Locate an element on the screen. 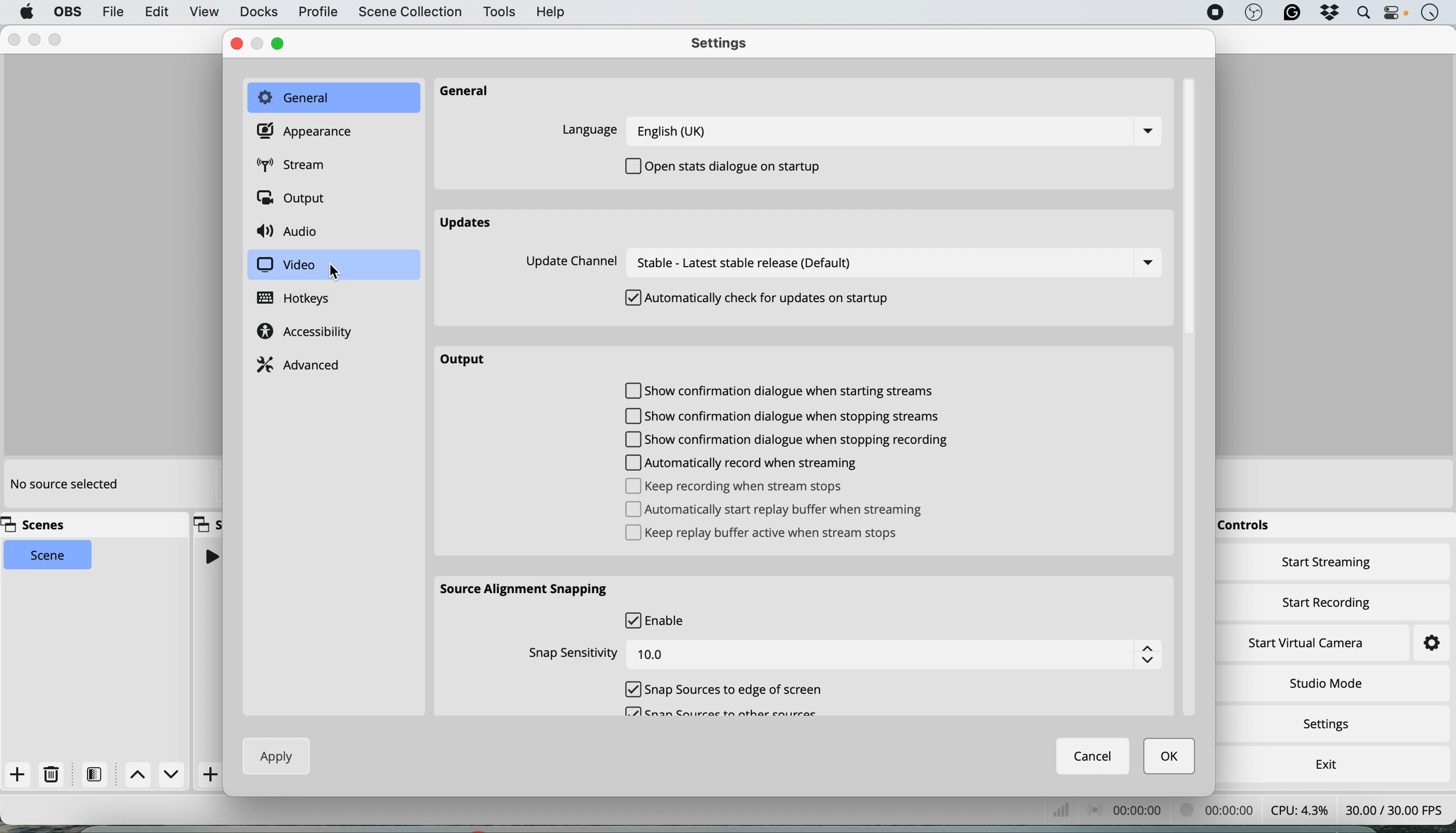  profile is located at coordinates (317, 13).